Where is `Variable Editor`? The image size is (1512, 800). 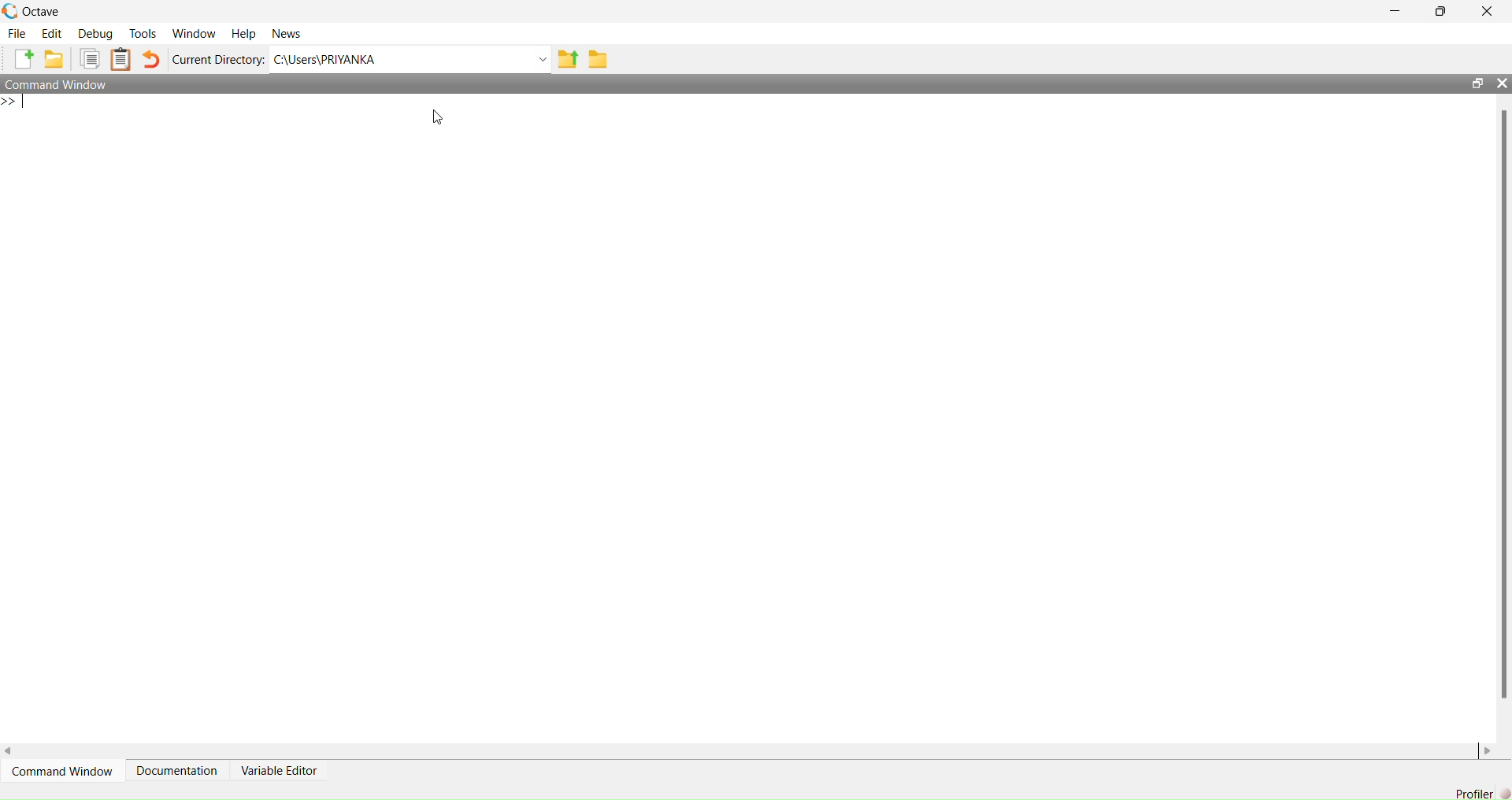 Variable Editor is located at coordinates (279, 771).